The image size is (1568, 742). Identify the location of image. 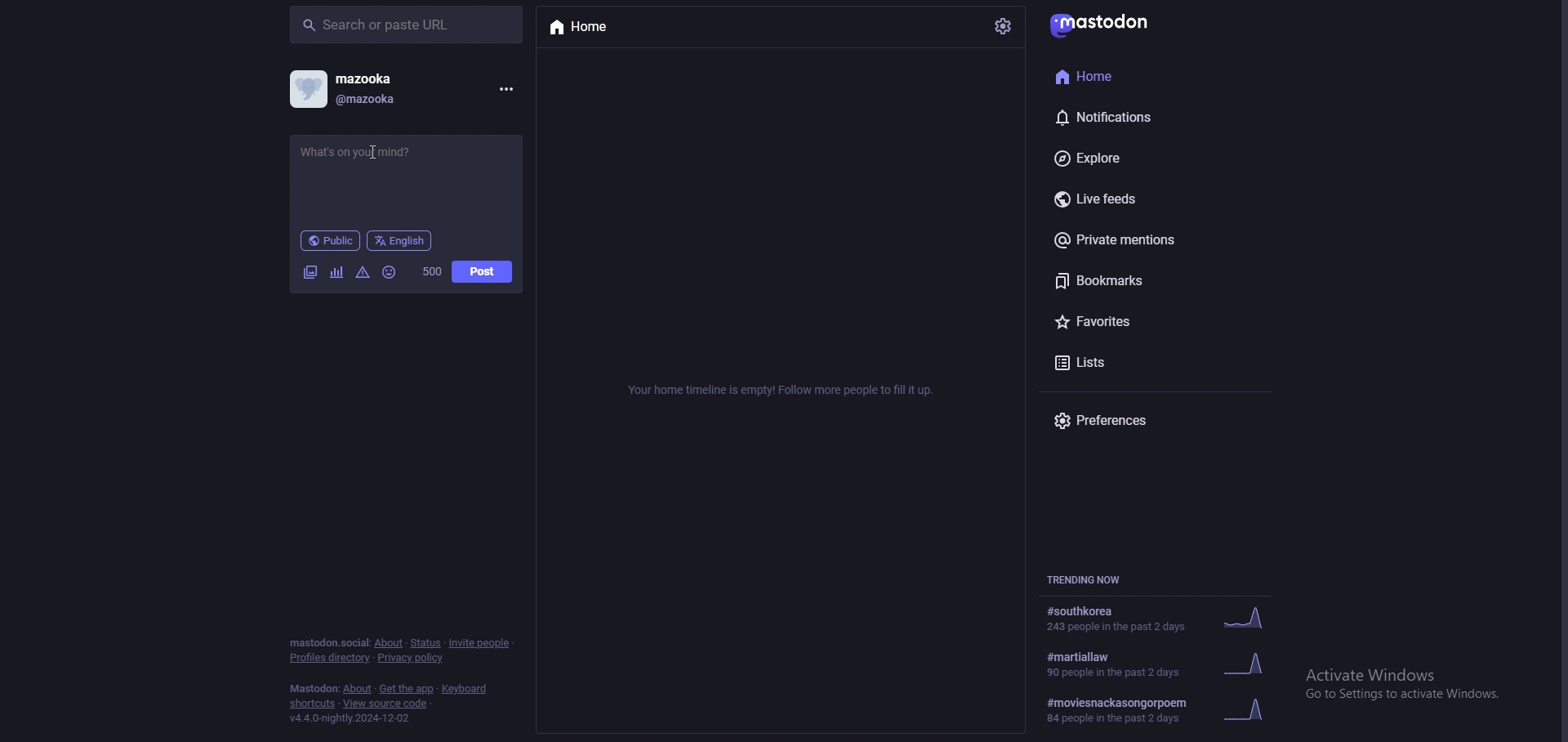
(311, 272).